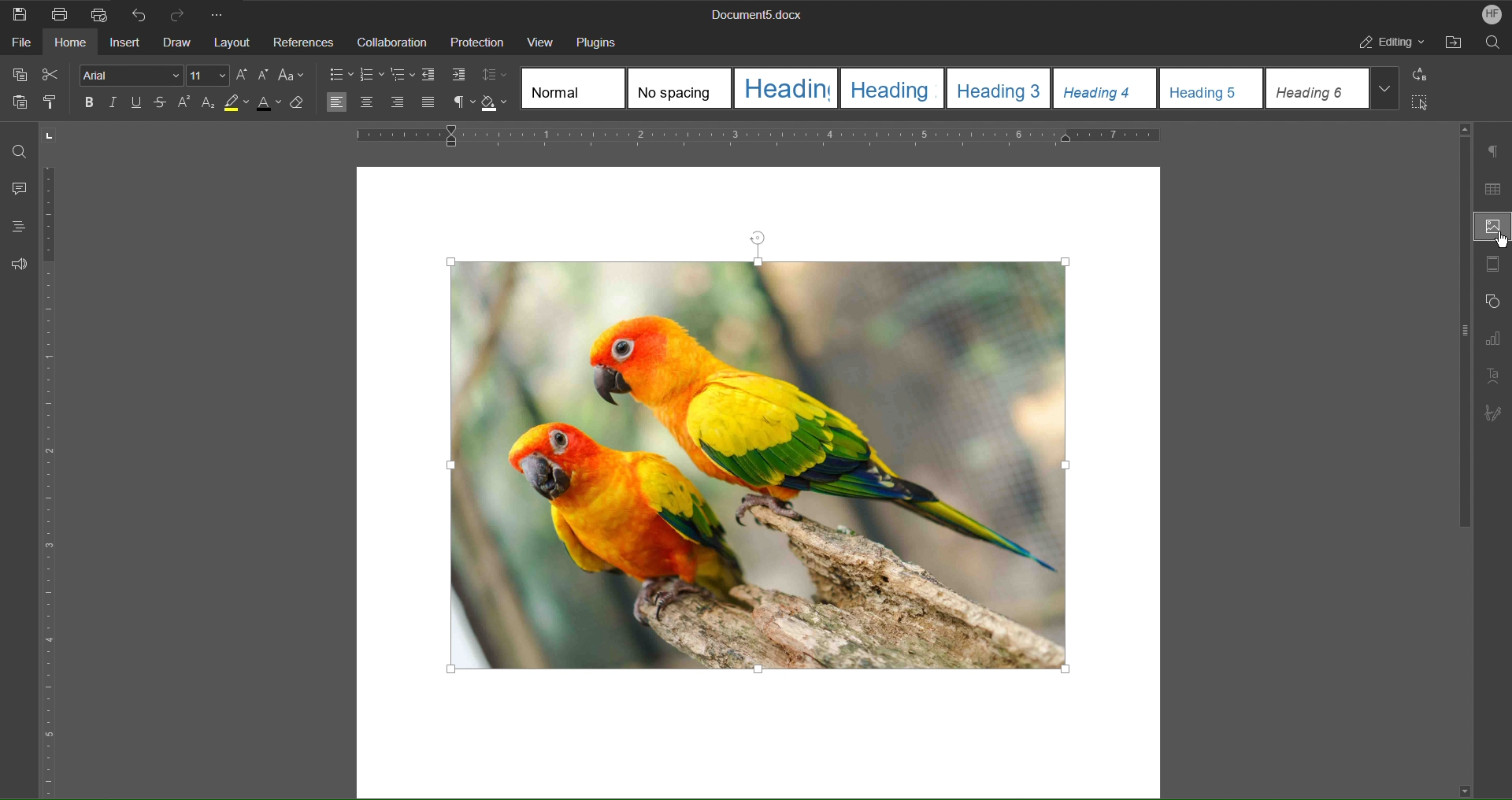 The width and height of the screenshot is (1512, 800). I want to click on Scrollbar, so click(1459, 333).